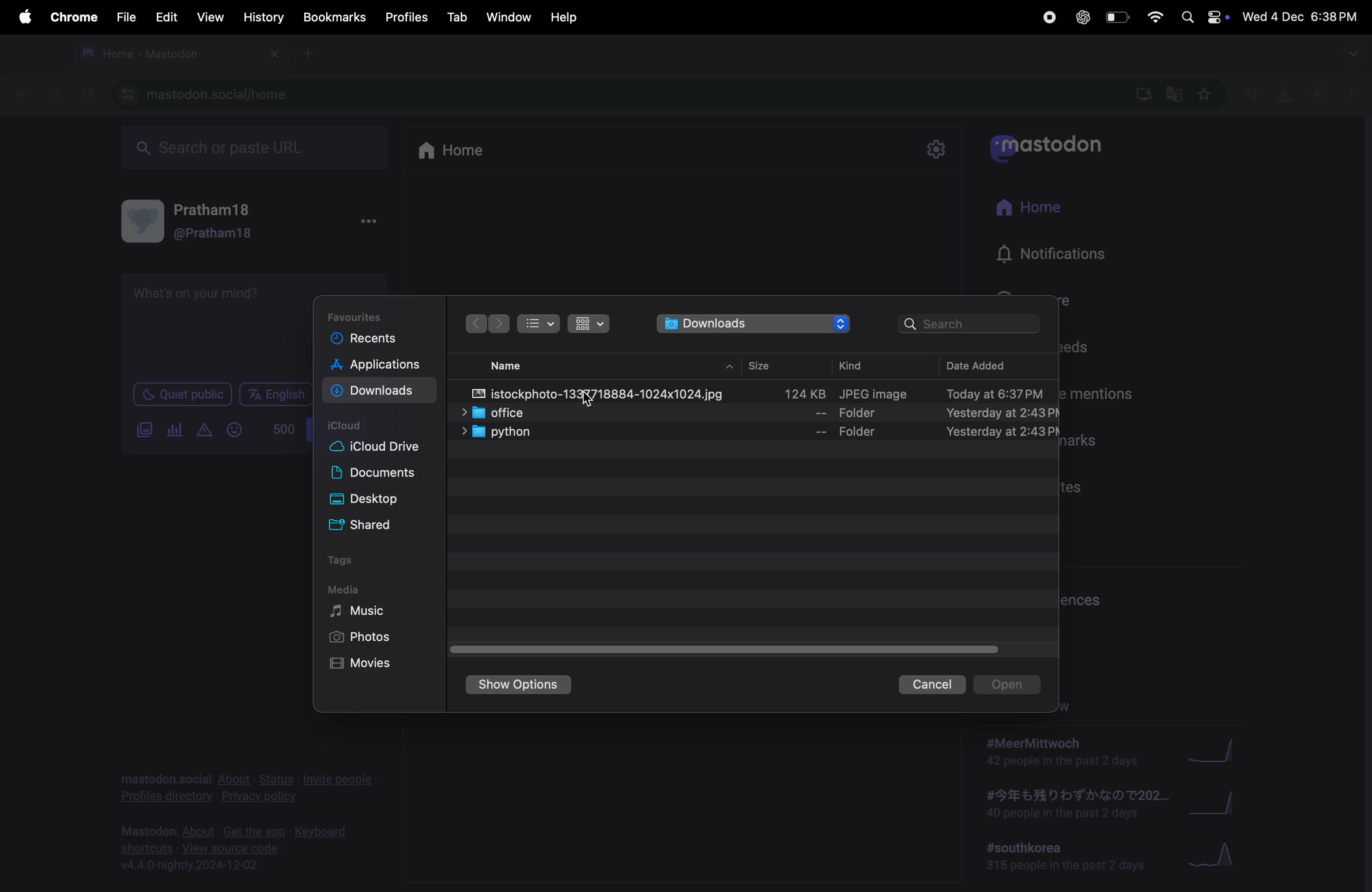 The image size is (1372, 892). What do you see at coordinates (1081, 17) in the screenshot?
I see `chatgpt` at bounding box center [1081, 17].